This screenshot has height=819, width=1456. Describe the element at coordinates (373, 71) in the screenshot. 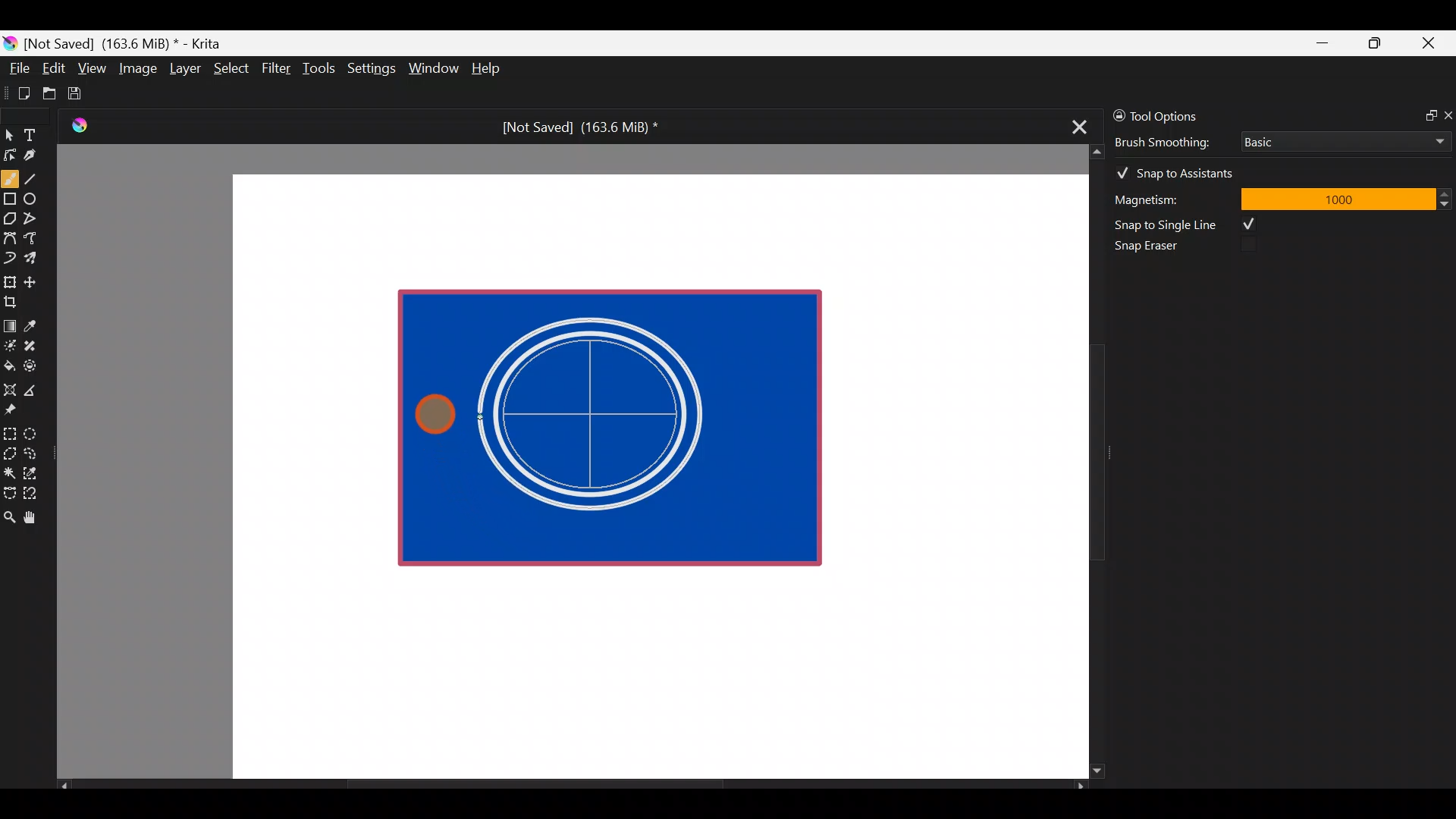

I see `Settings` at that location.